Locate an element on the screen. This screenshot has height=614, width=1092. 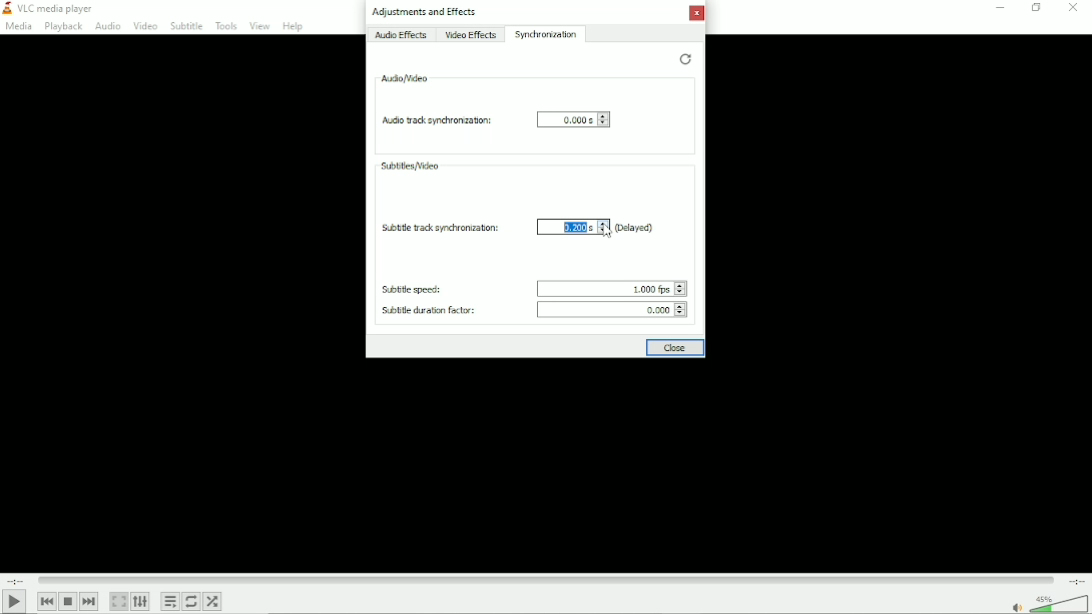
0.000 is located at coordinates (615, 310).